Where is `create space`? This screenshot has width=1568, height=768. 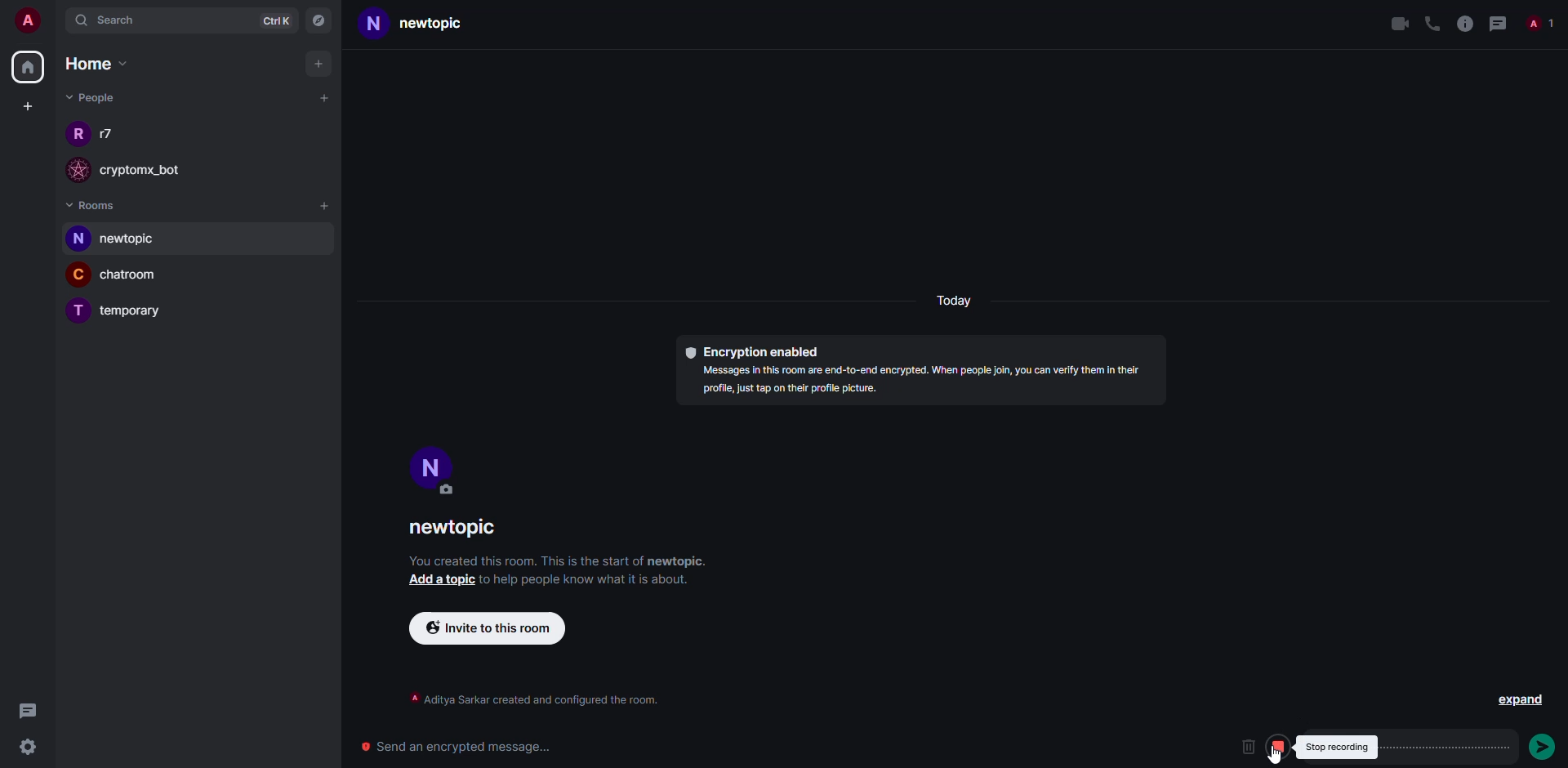
create space is located at coordinates (27, 108).